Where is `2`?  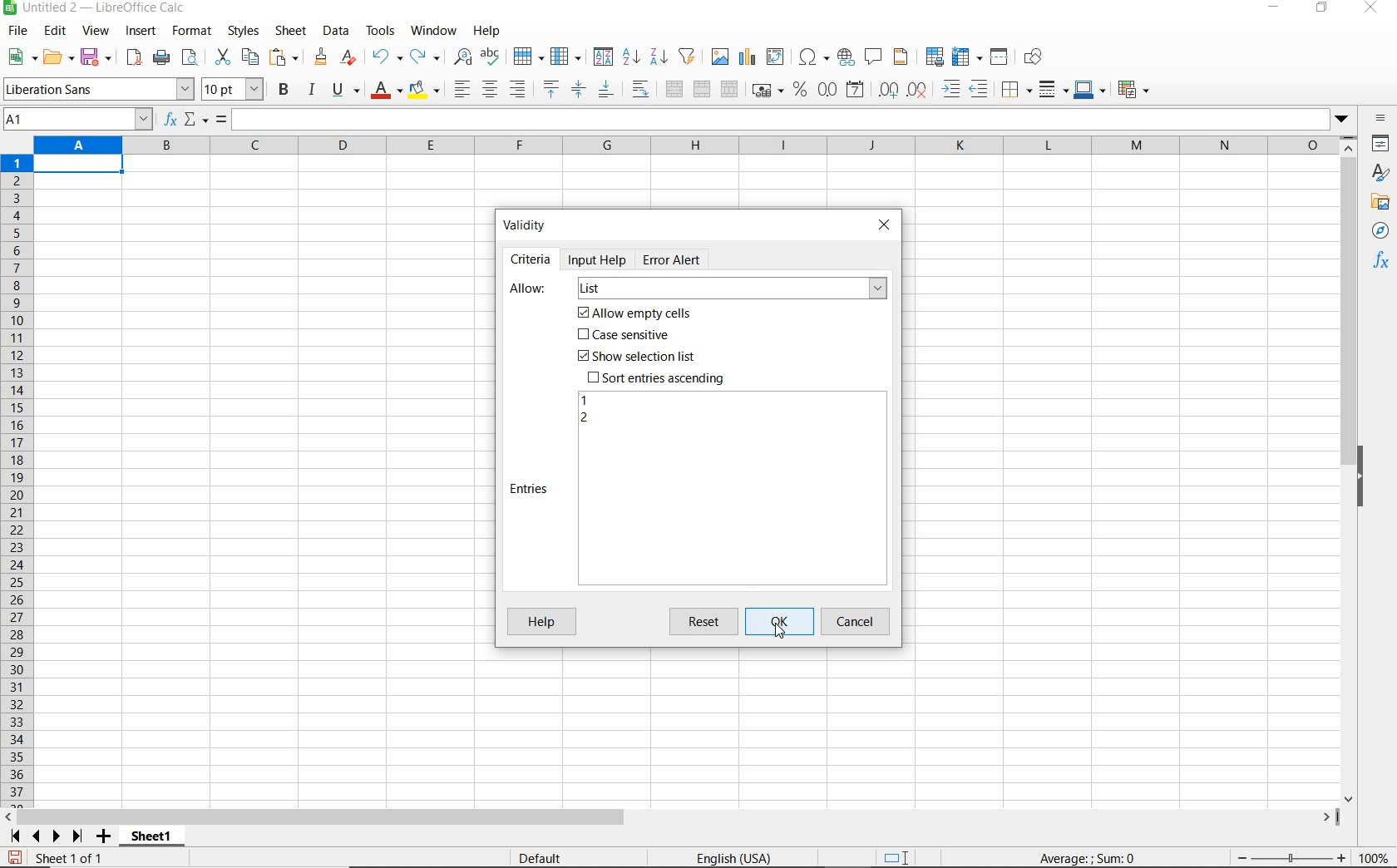 2 is located at coordinates (584, 419).